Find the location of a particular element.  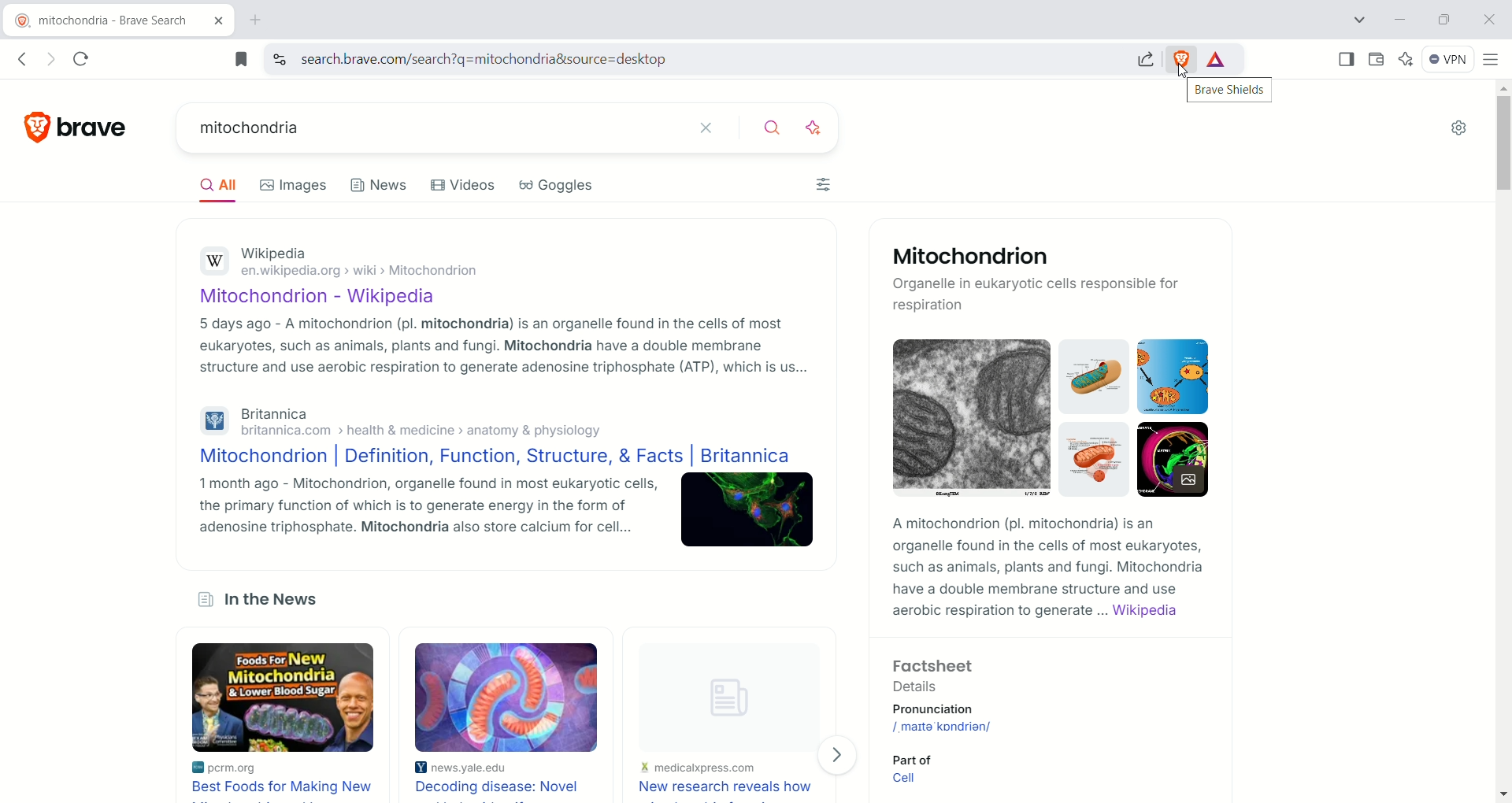

VPN is located at coordinates (1449, 61).